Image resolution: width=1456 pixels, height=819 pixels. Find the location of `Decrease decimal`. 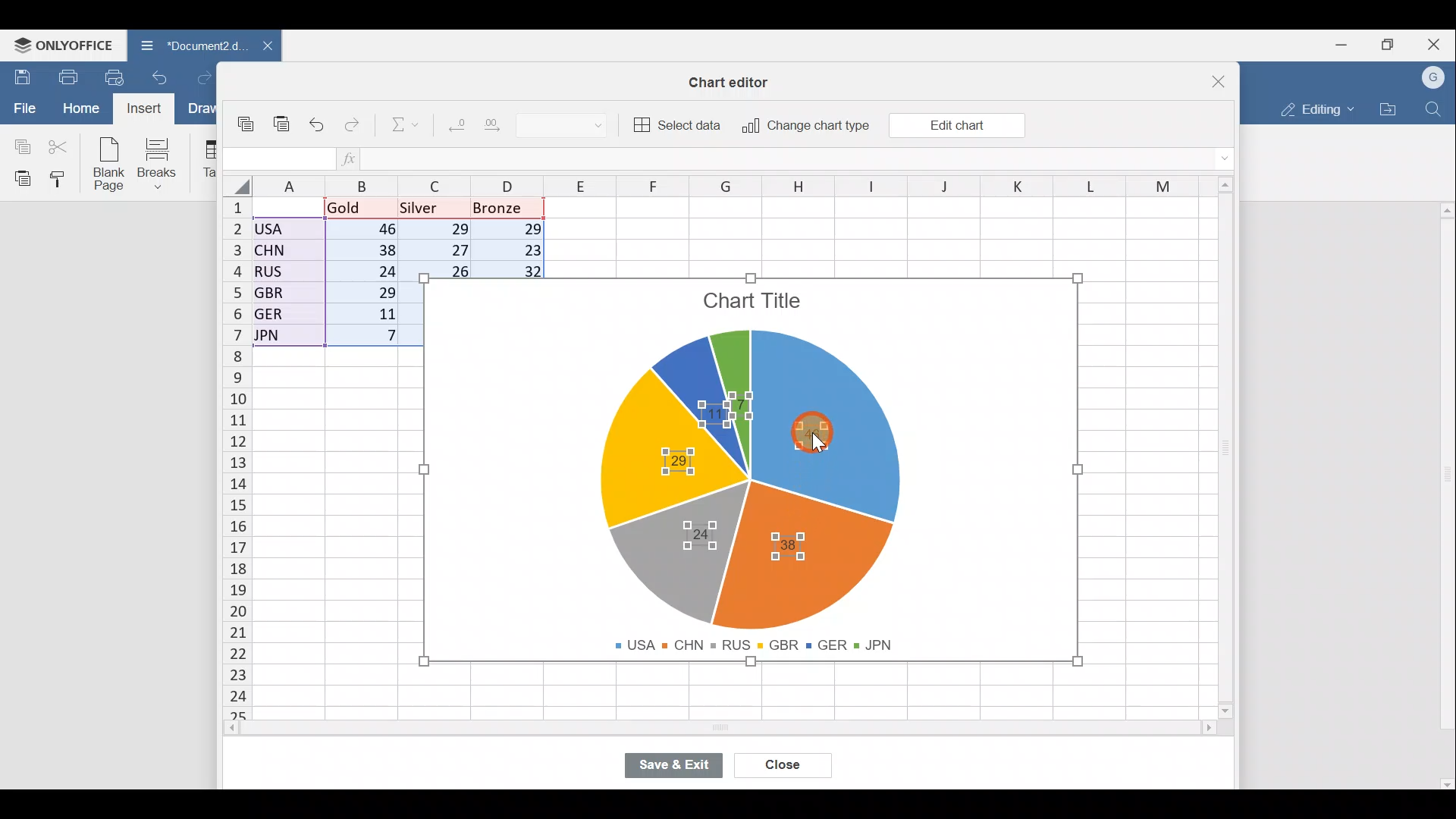

Decrease decimal is located at coordinates (456, 121).